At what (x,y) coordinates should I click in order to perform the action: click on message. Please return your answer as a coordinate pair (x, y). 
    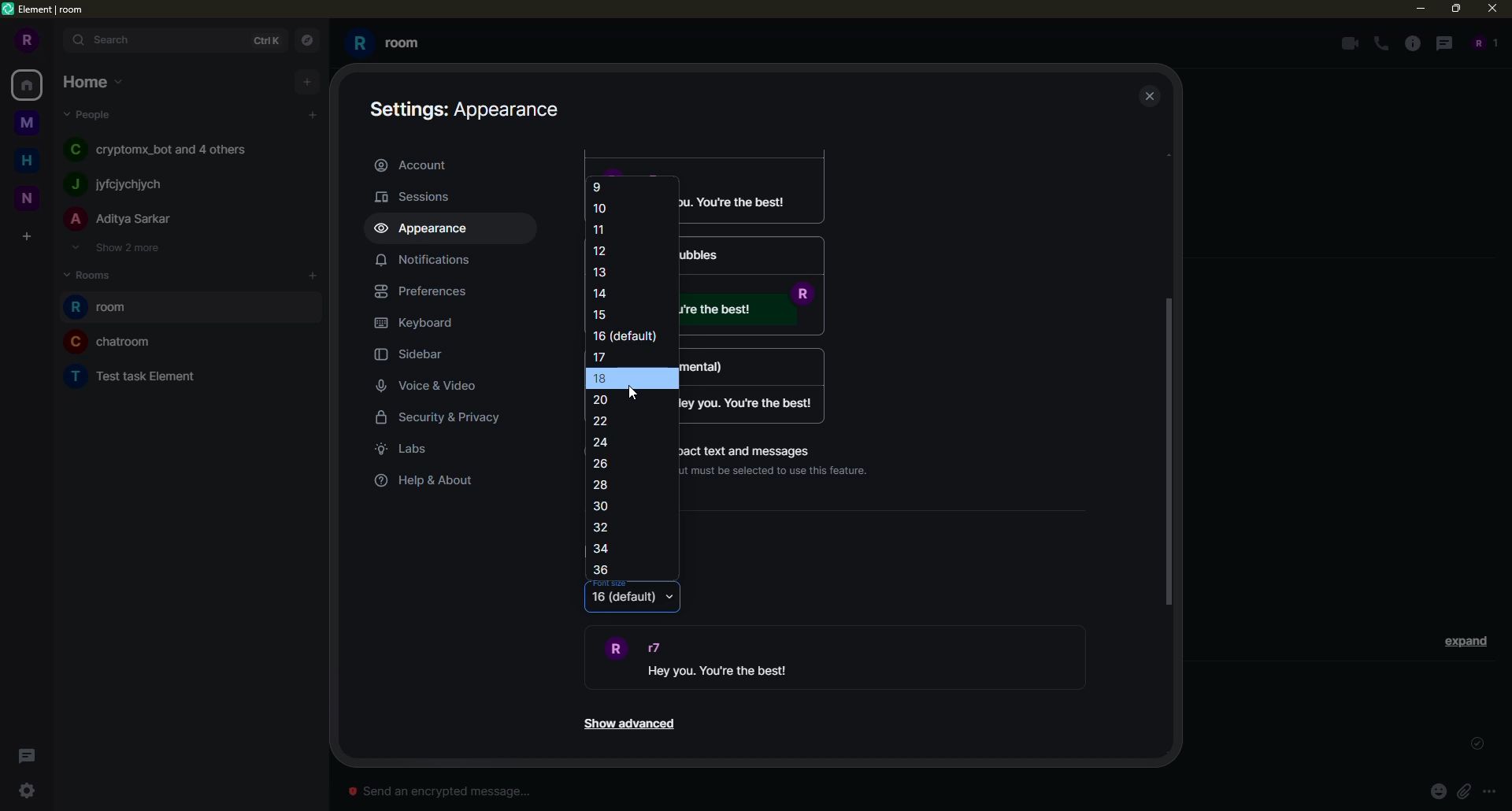
    Looking at the image, I should click on (751, 311).